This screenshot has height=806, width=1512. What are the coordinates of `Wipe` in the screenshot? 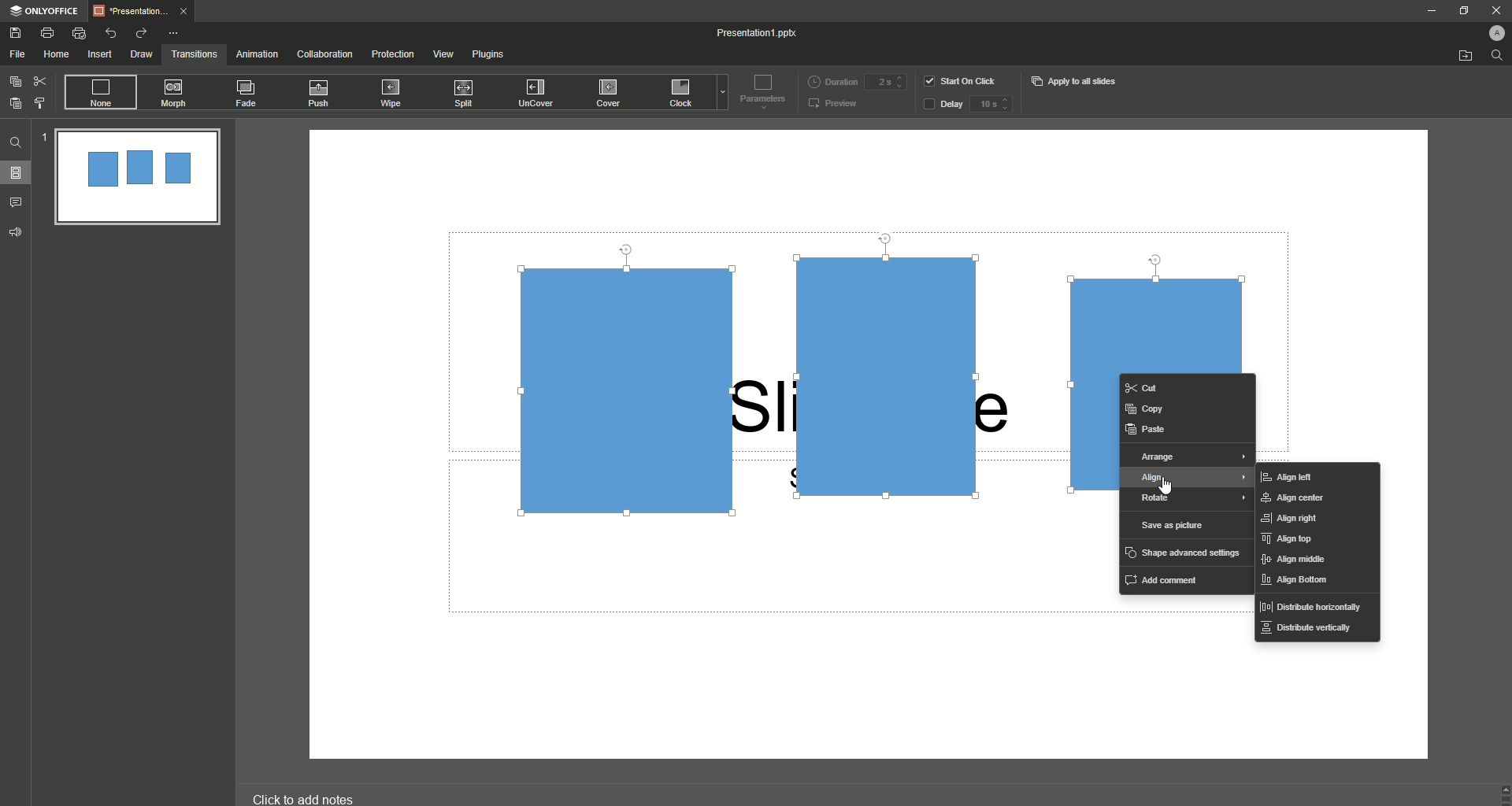 It's located at (391, 92).